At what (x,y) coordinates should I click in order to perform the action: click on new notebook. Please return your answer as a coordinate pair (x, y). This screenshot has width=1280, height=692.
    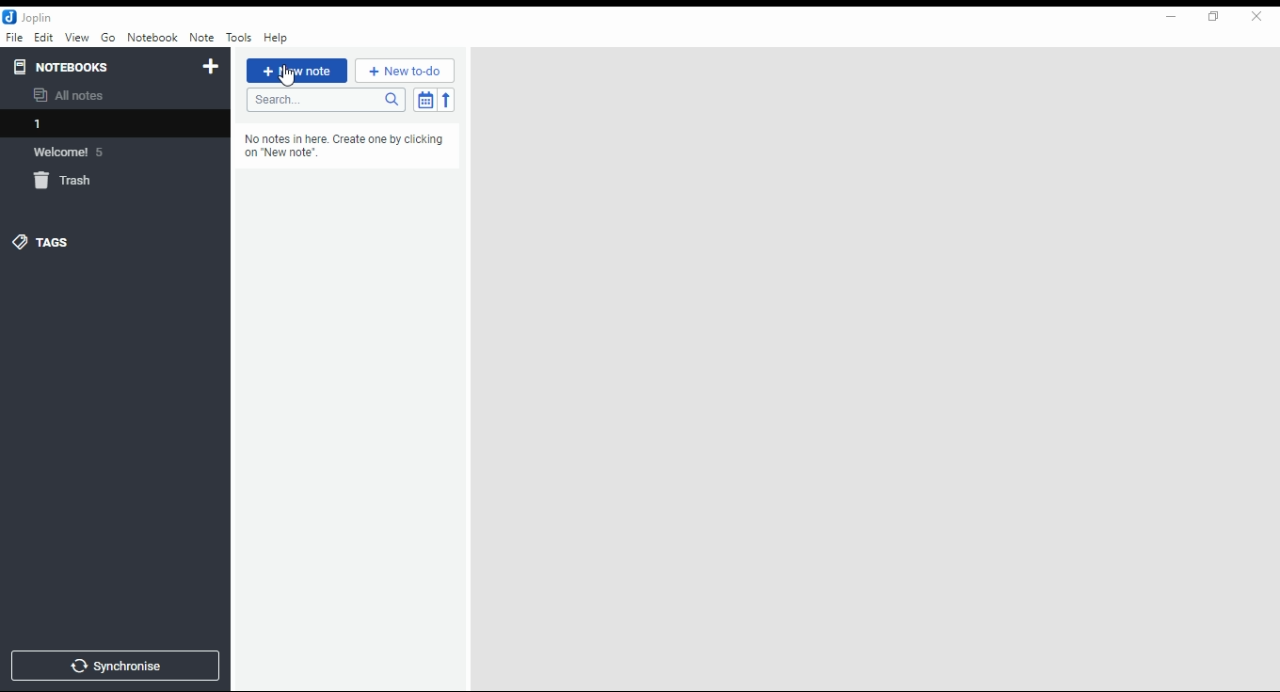
    Looking at the image, I should click on (212, 67).